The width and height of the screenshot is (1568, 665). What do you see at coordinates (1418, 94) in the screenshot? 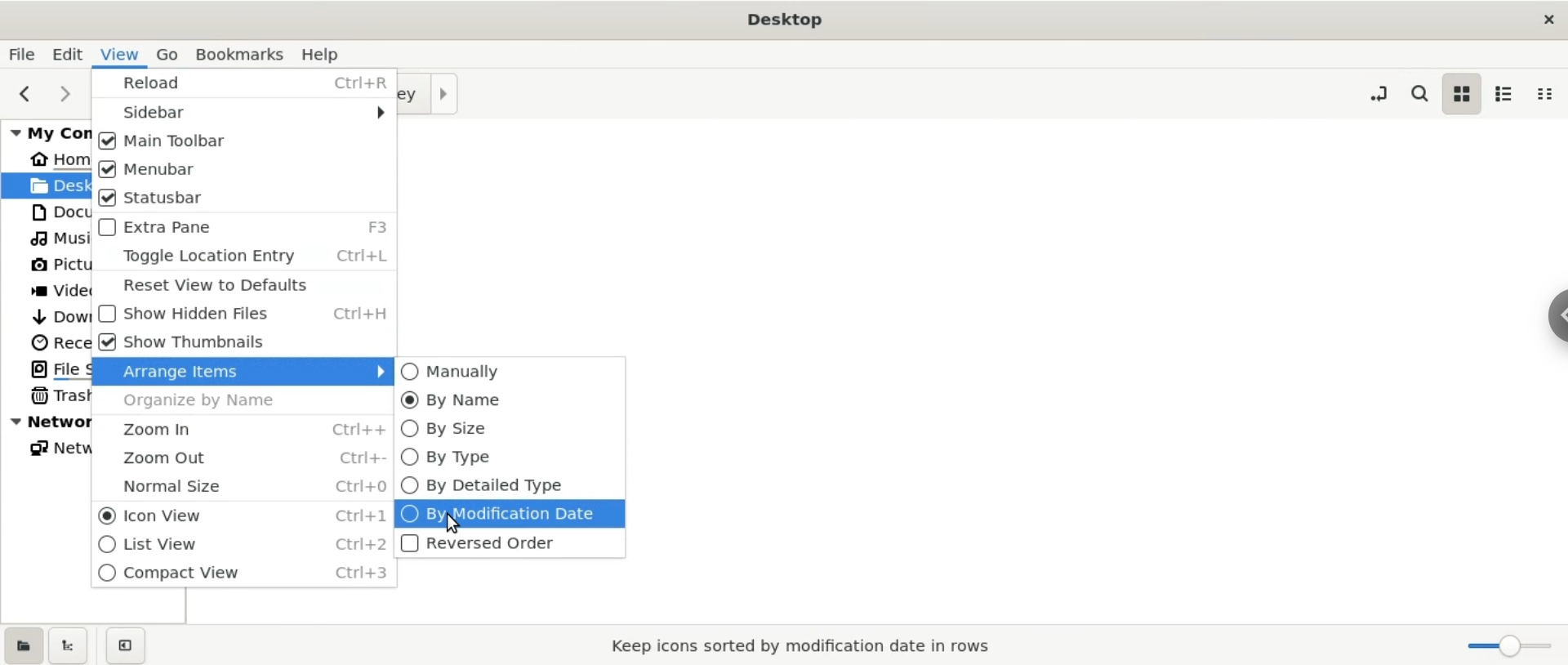
I see `search ` at bounding box center [1418, 94].